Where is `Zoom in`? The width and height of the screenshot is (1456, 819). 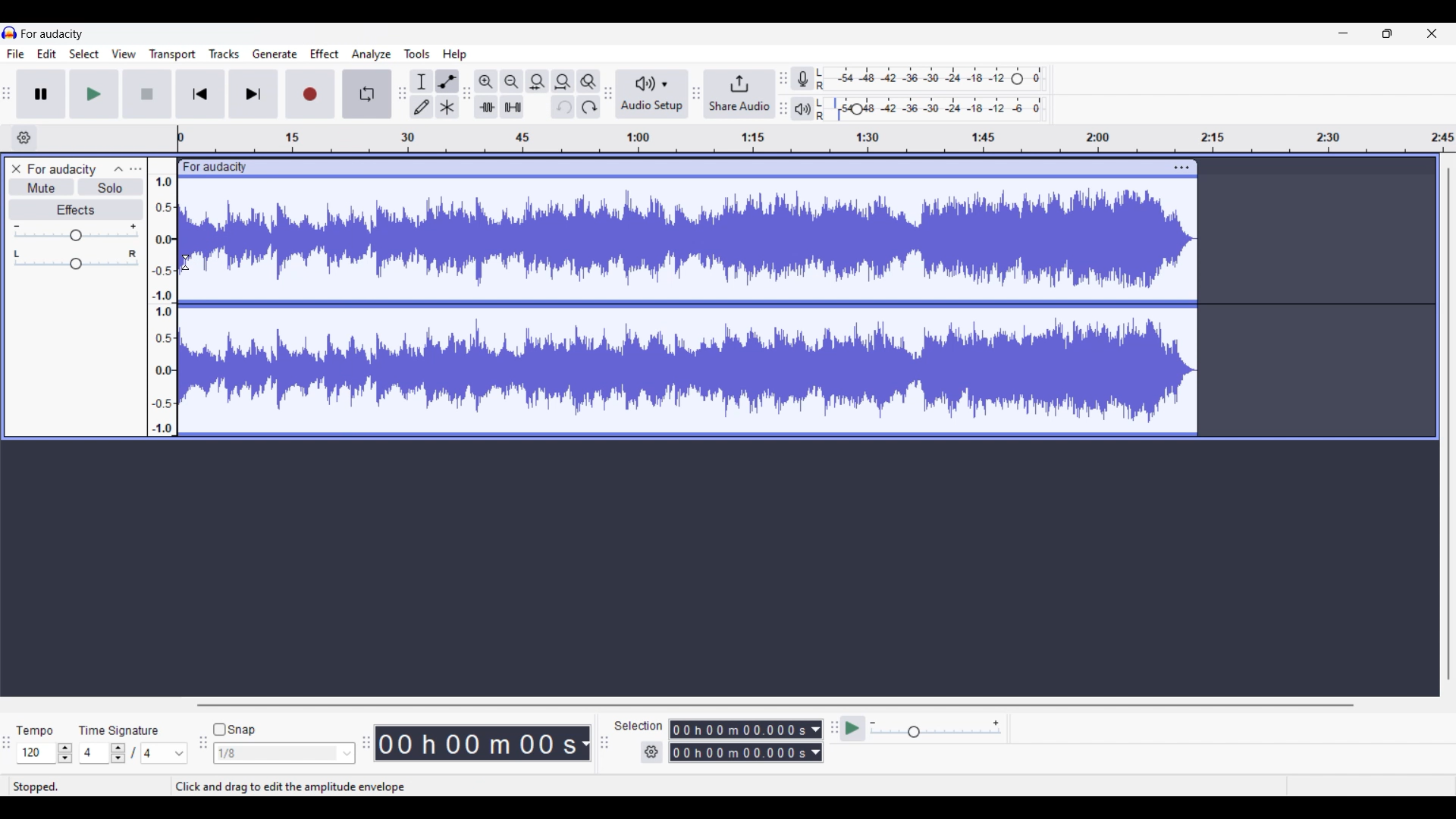
Zoom in is located at coordinates (486, 81).